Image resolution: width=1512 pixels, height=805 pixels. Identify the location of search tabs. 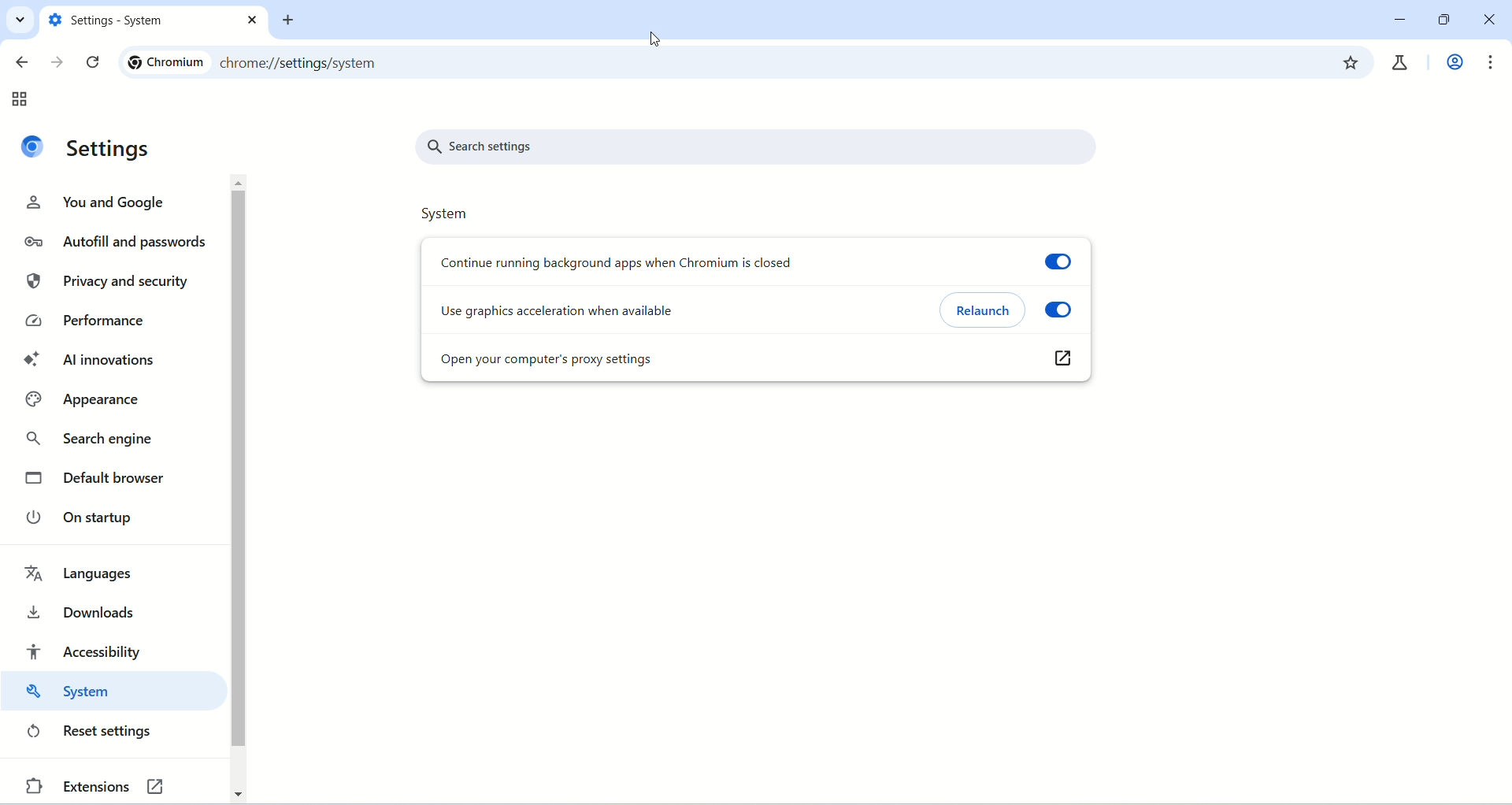
(21, 22).